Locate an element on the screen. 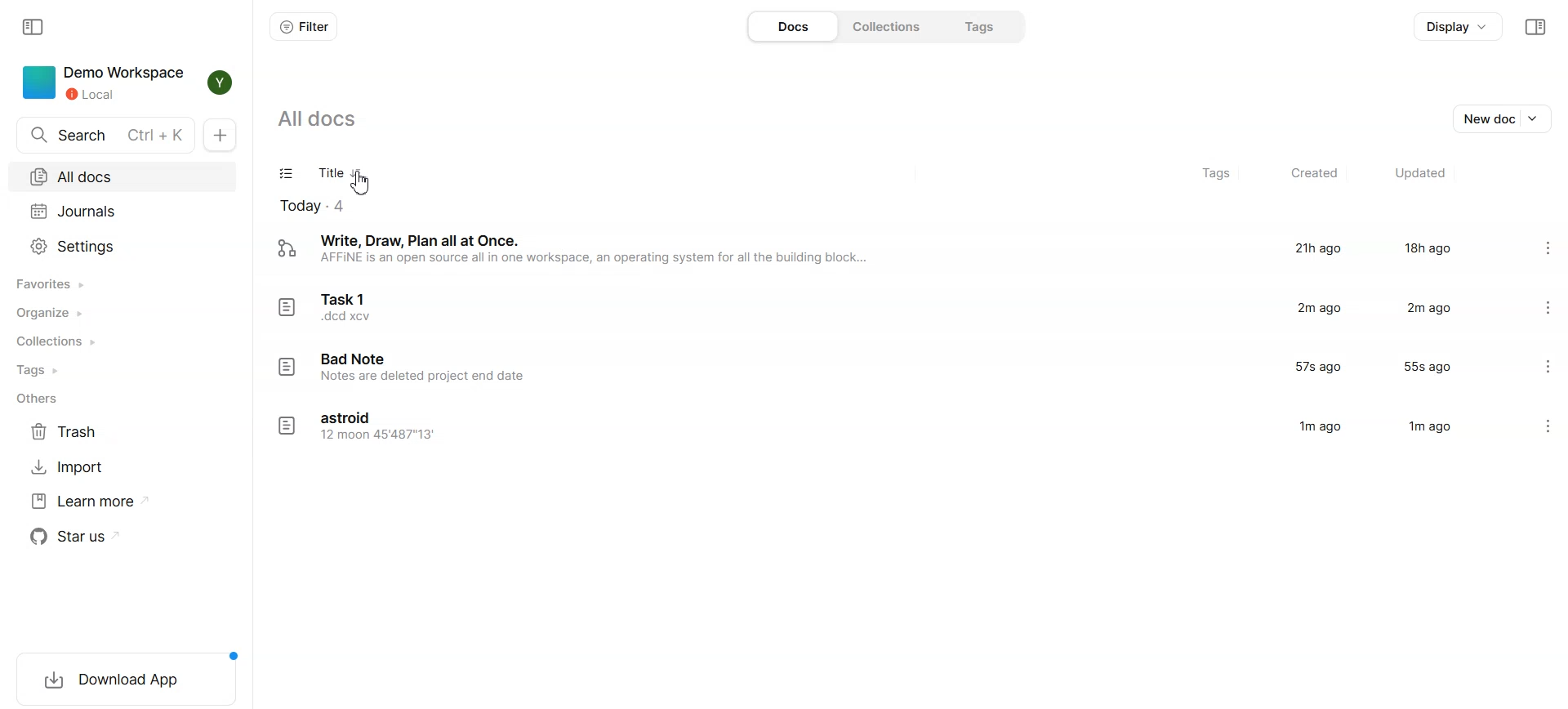  Settings is located at coordinates (1549, 305).